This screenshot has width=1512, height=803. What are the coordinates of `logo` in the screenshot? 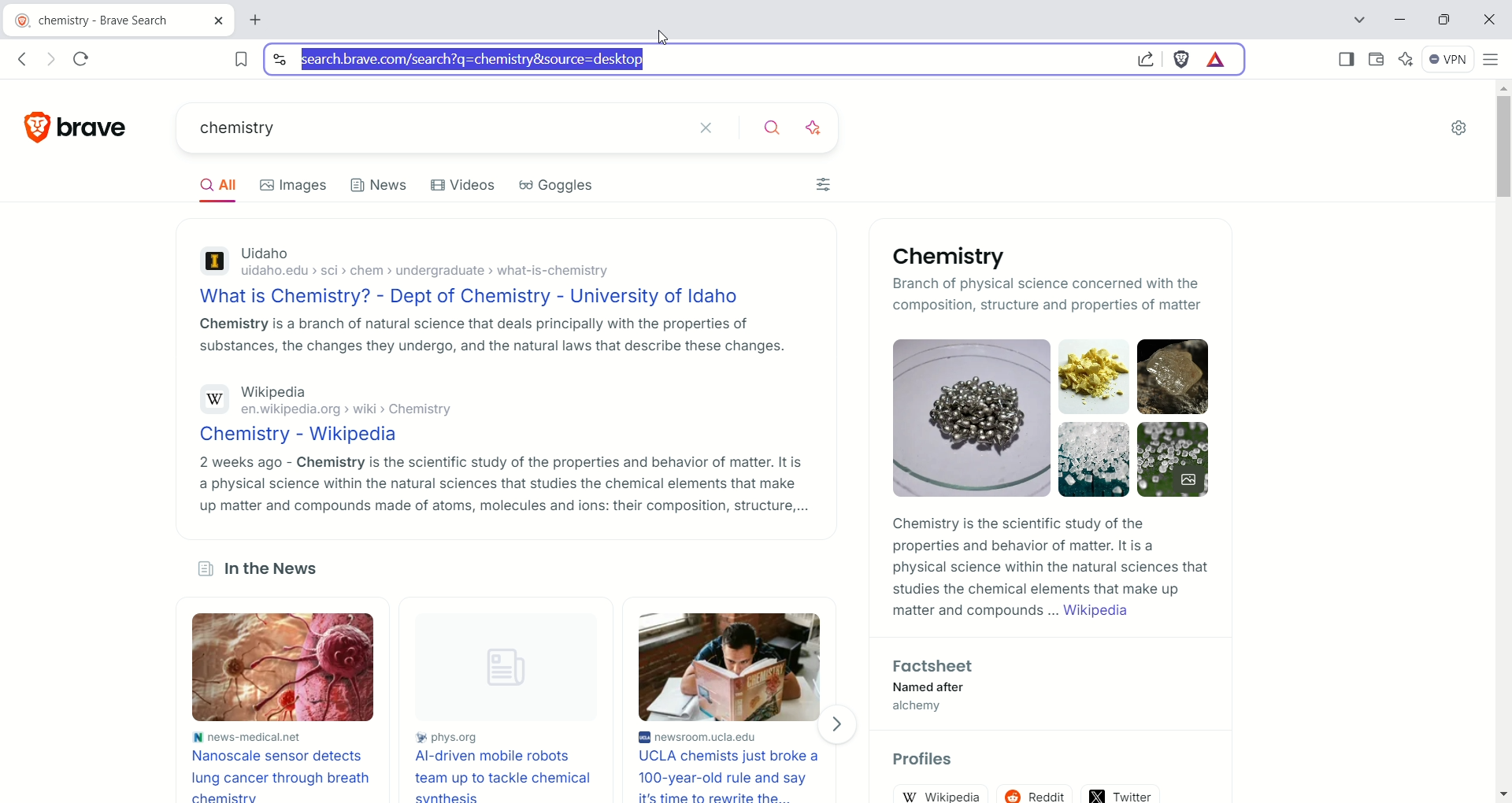 It's located at (31, 127).